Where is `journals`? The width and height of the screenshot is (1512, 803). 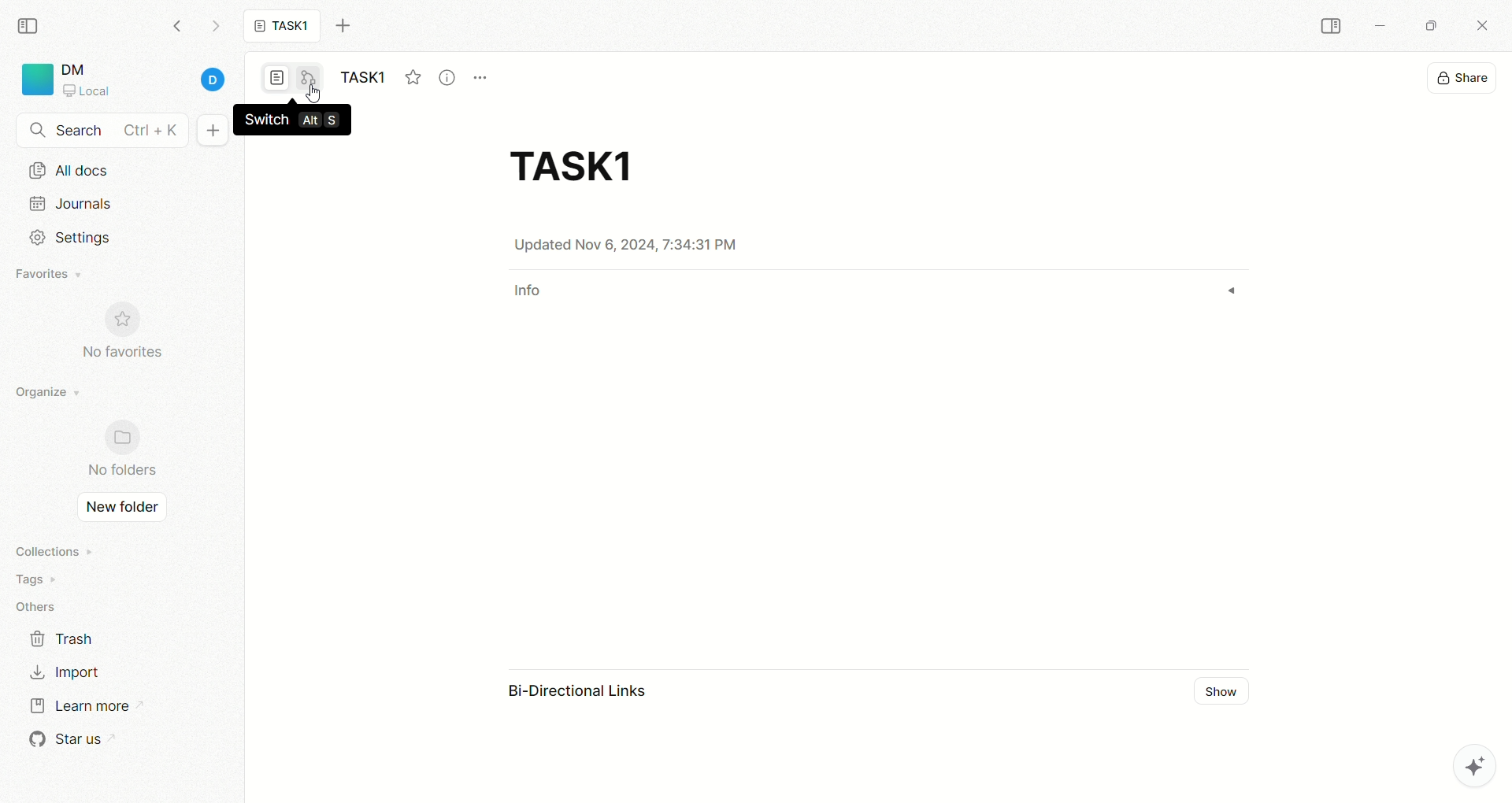 journals is located at coordinates (74, 203).